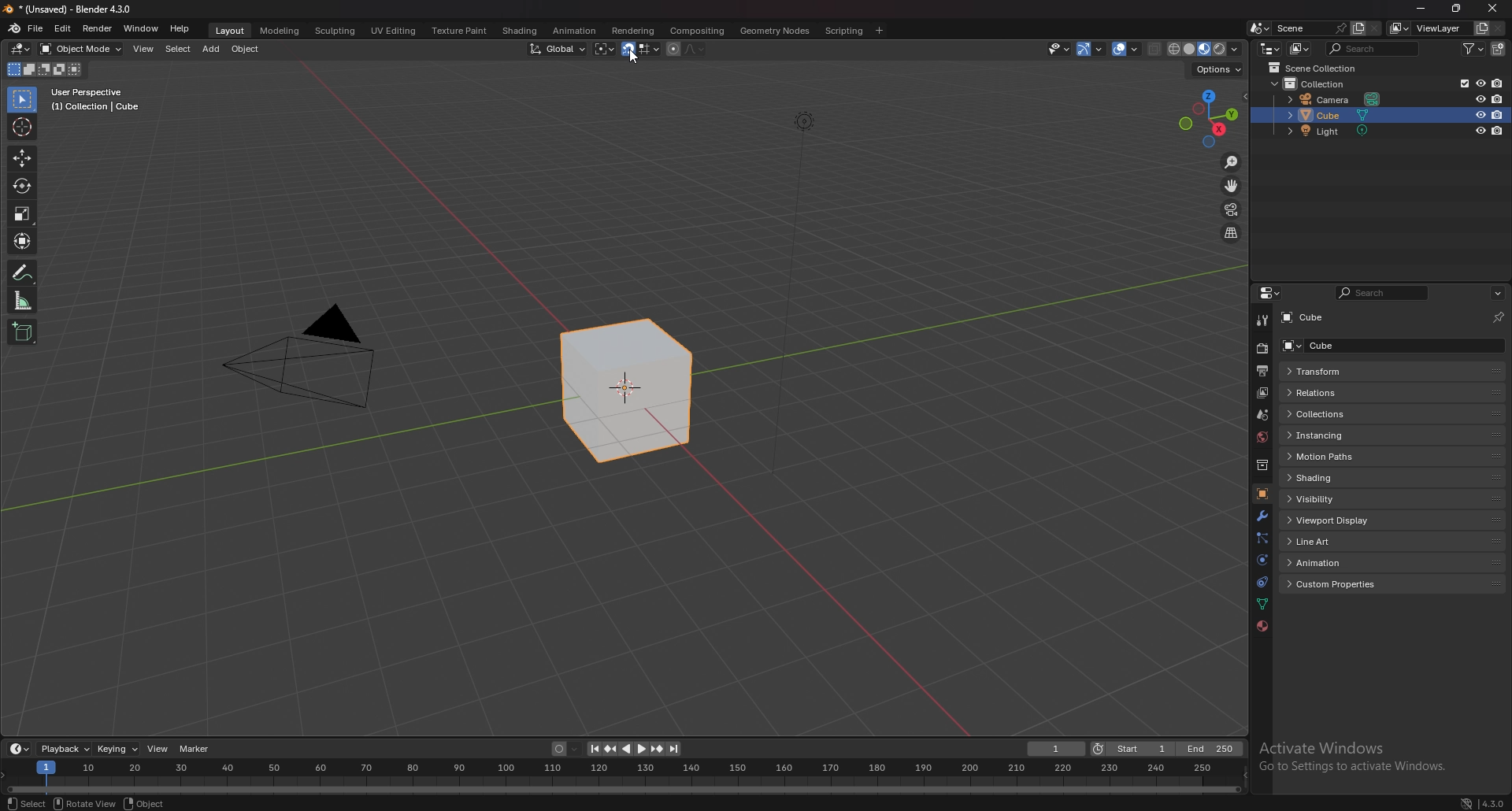 Image resolution: width=1512 pixels, height=811 pixels. Describe the element at coordinates (22, 804) in the screenshot. I see `select` at that location.